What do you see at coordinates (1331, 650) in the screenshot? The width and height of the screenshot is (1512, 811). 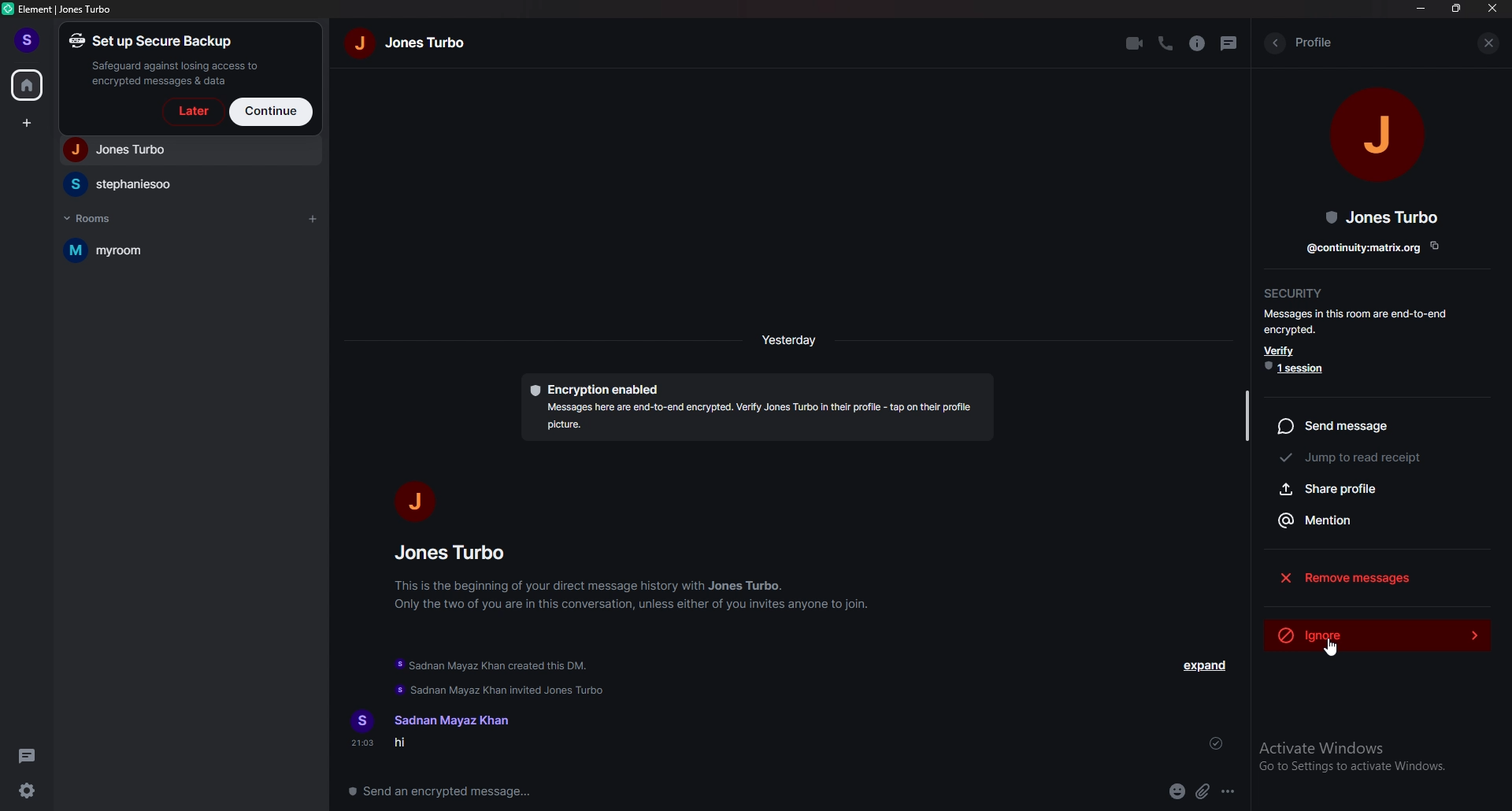 I see `cursor` at bounding box center [1331, 650].